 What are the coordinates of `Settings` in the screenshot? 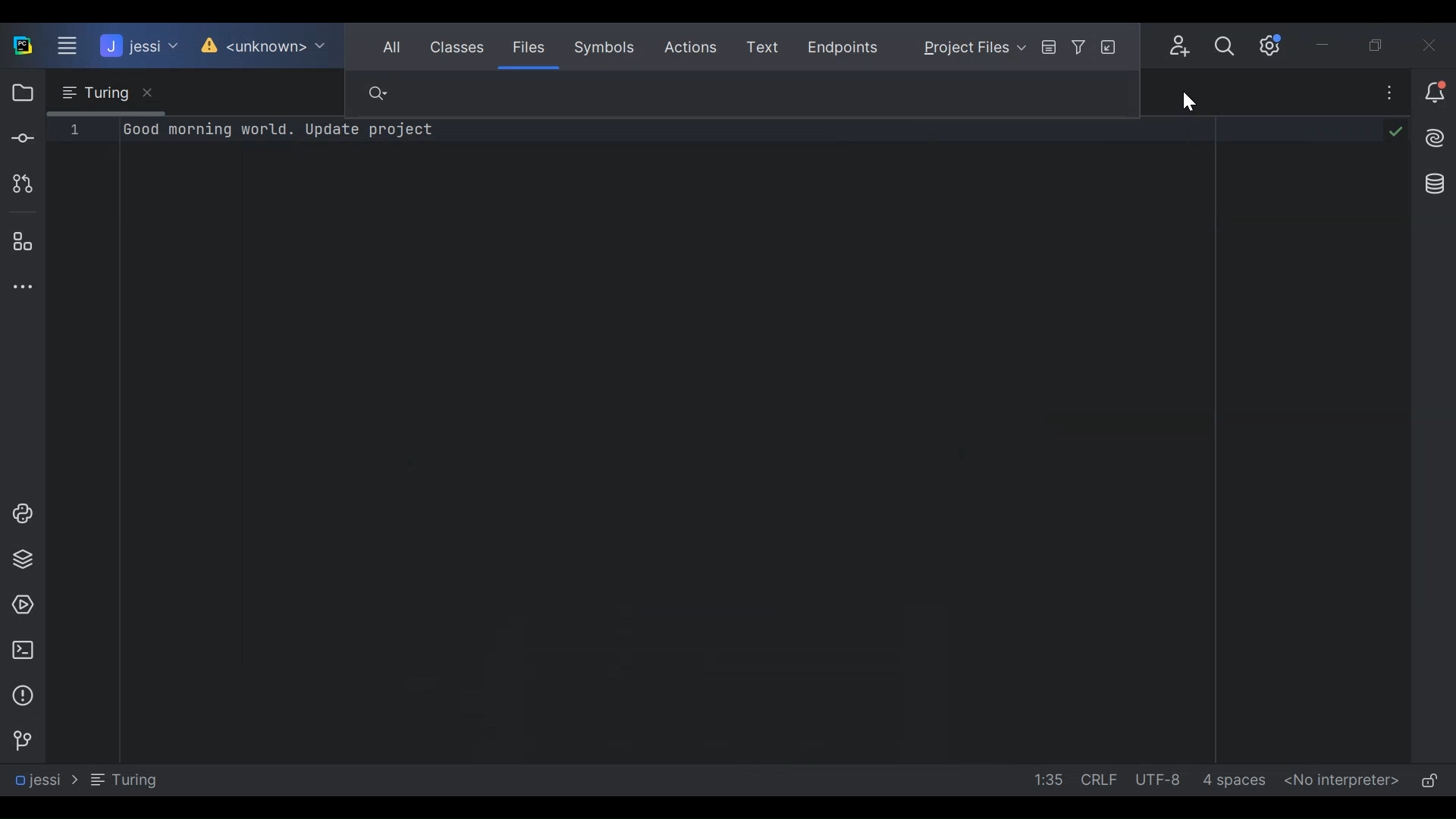 It's located at (1278, 44).